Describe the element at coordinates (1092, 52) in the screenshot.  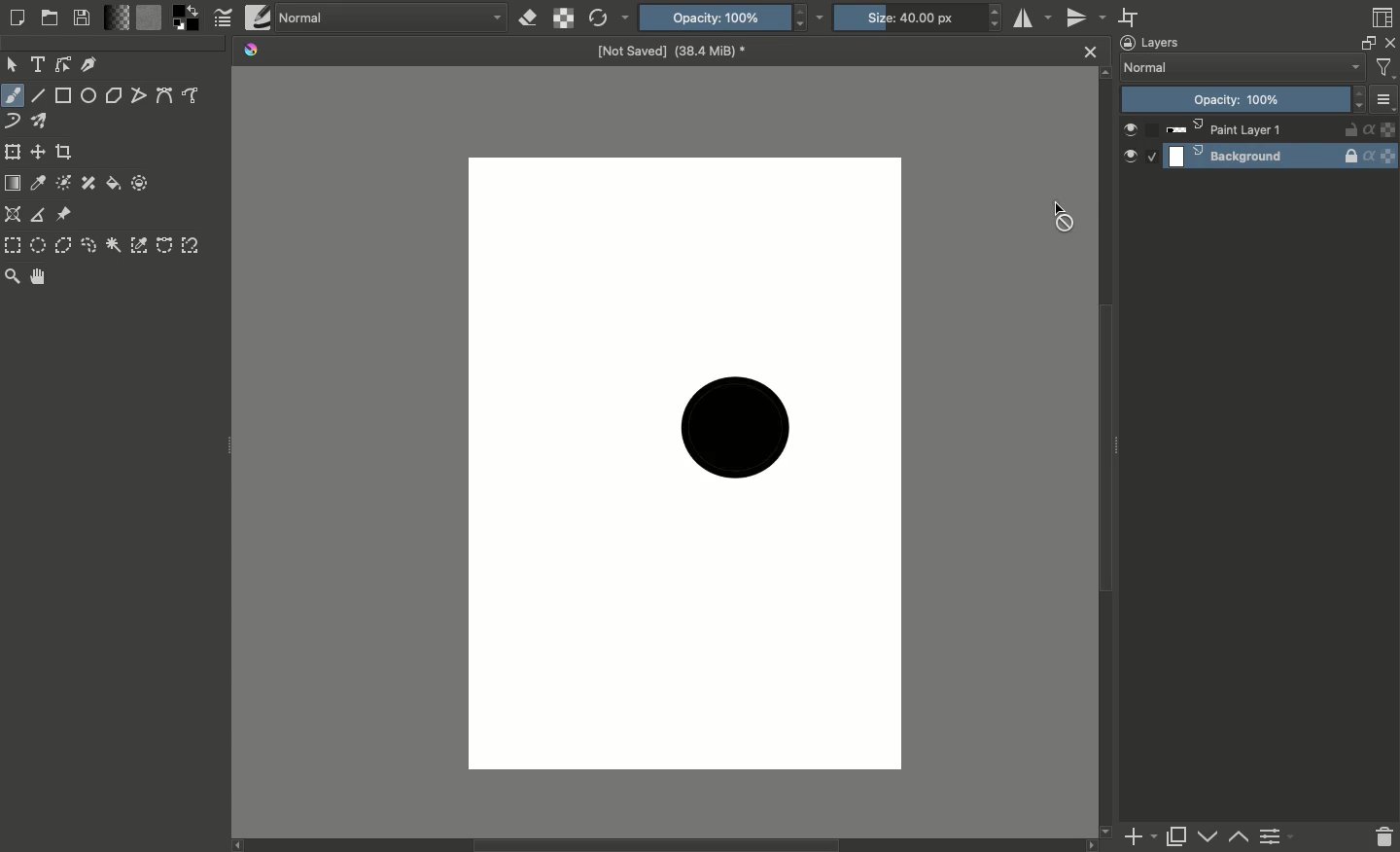
I see `Close` at that location.